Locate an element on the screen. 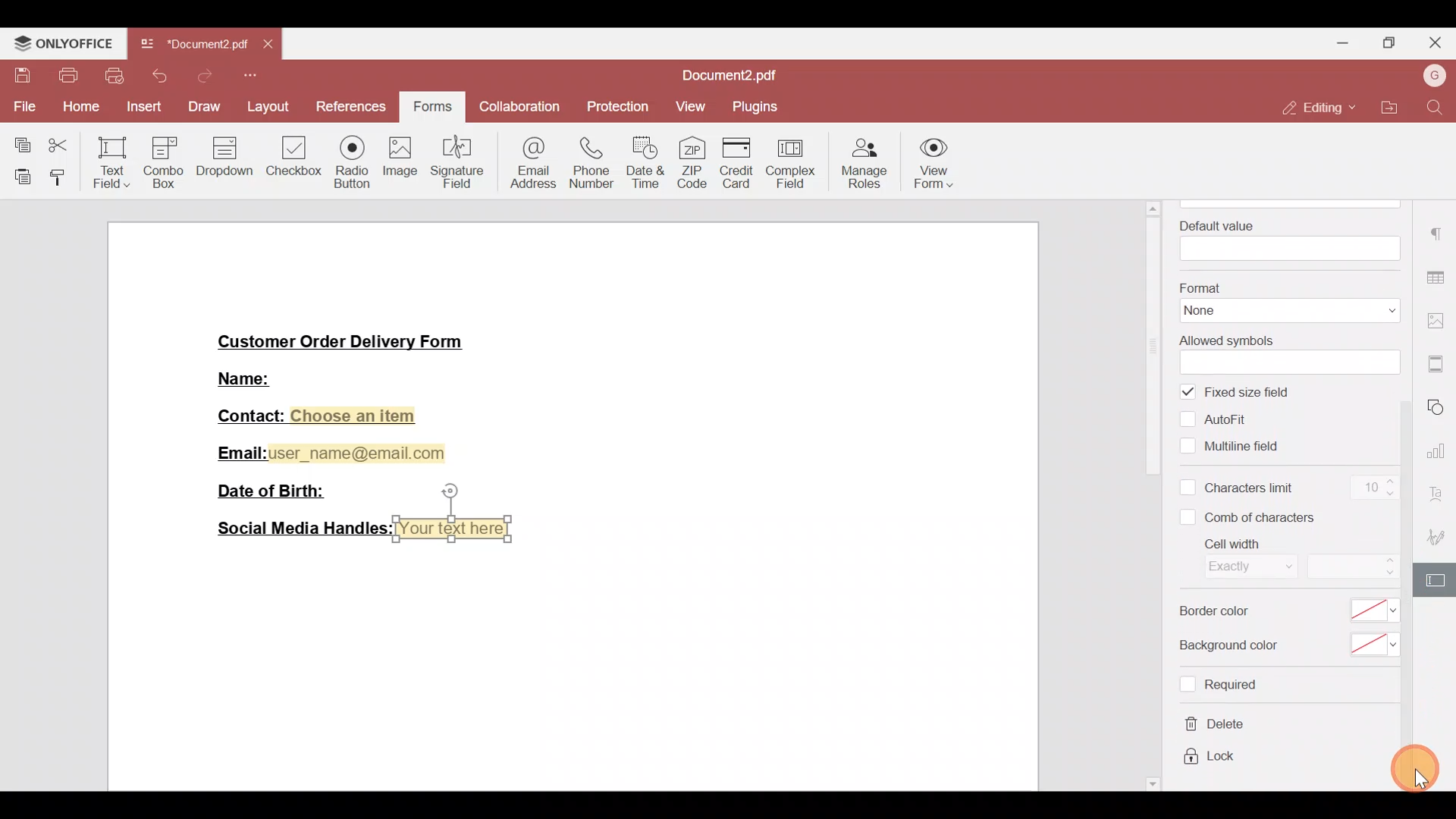 The image size is (1456, 819). Social Media Handles is located at coordinates (299, 529).